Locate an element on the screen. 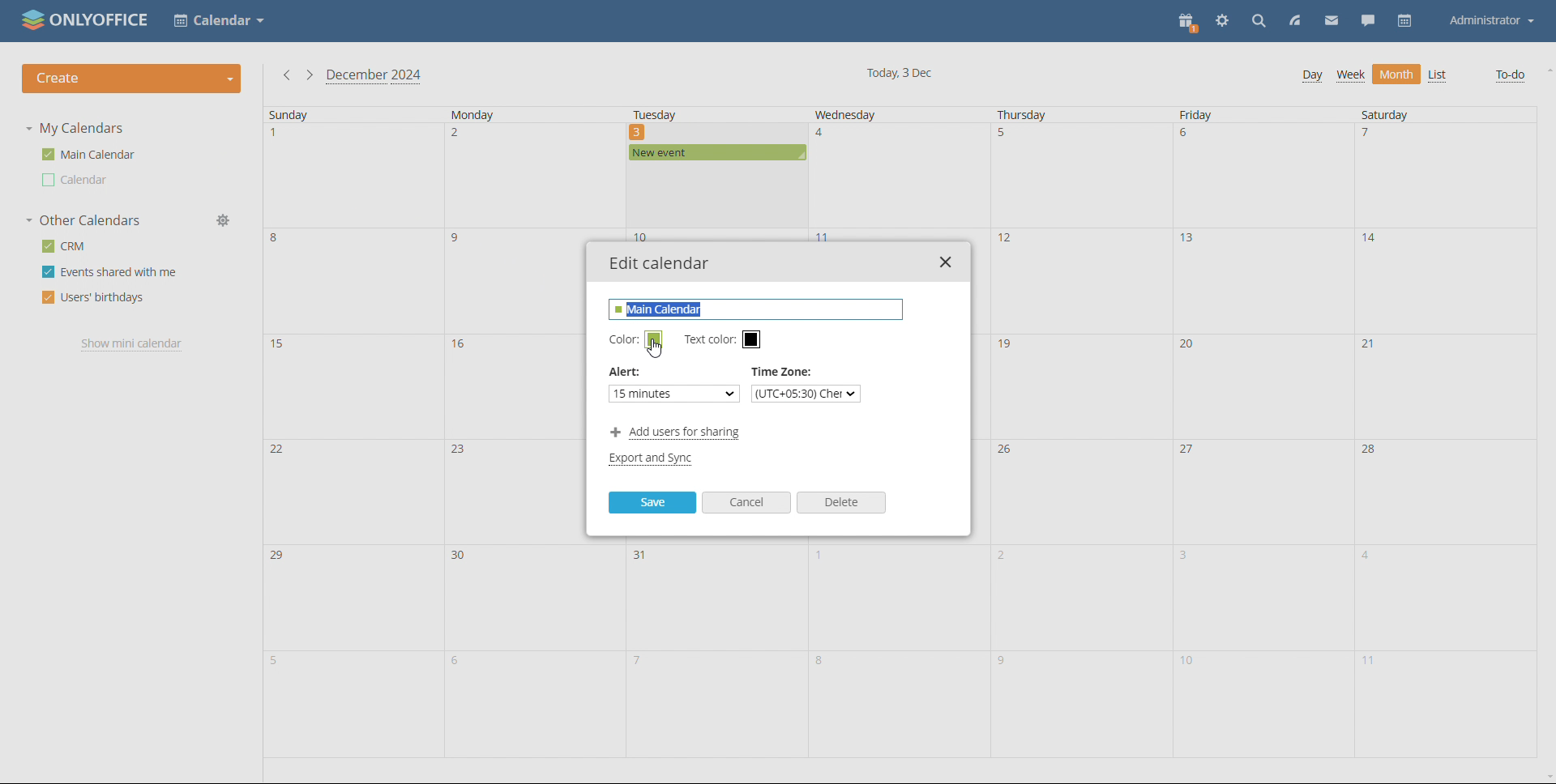 This screenshot has height=784, width=1556. date is located at coordinates (894, 598).